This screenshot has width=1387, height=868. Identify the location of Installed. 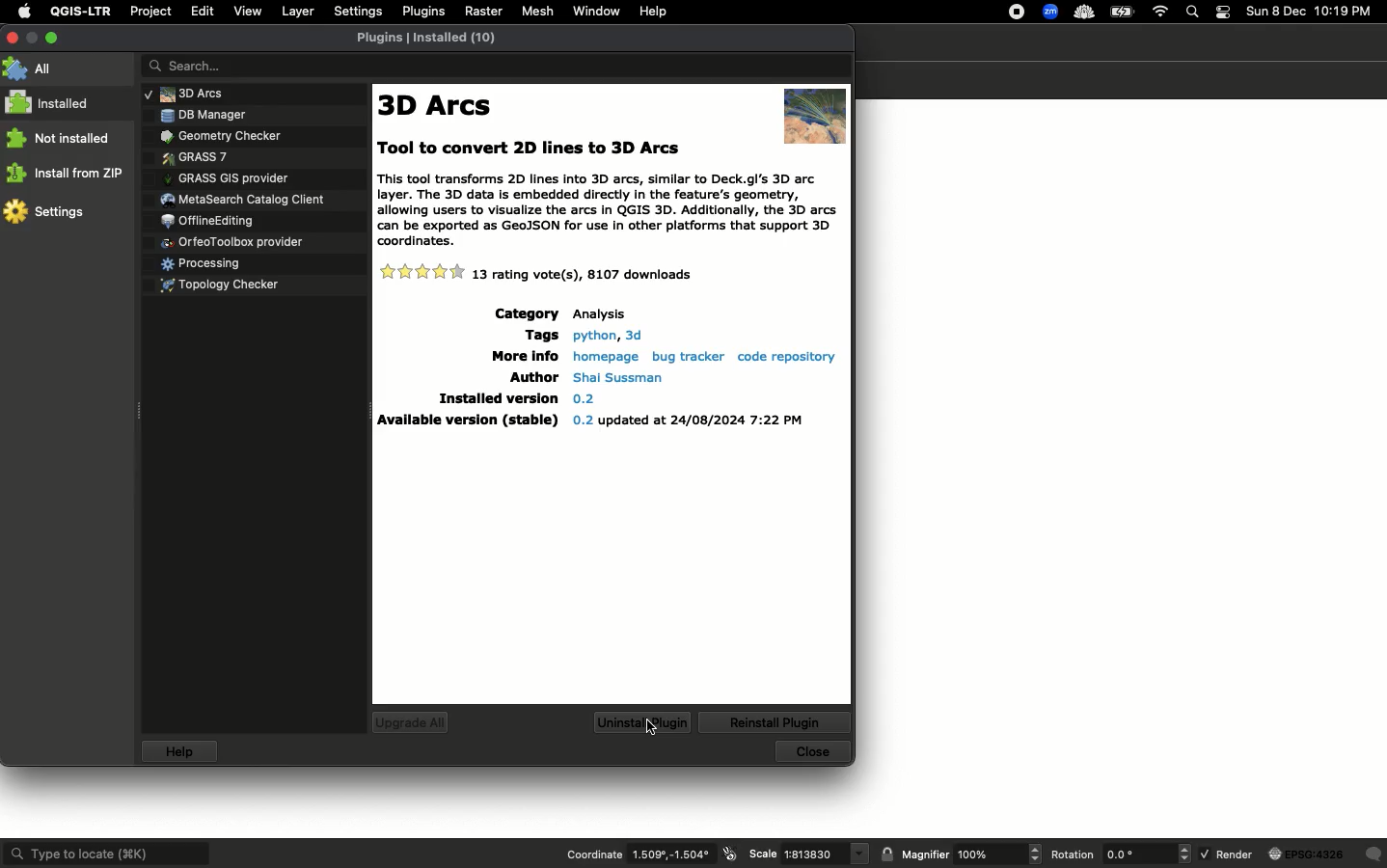
(50, 104).